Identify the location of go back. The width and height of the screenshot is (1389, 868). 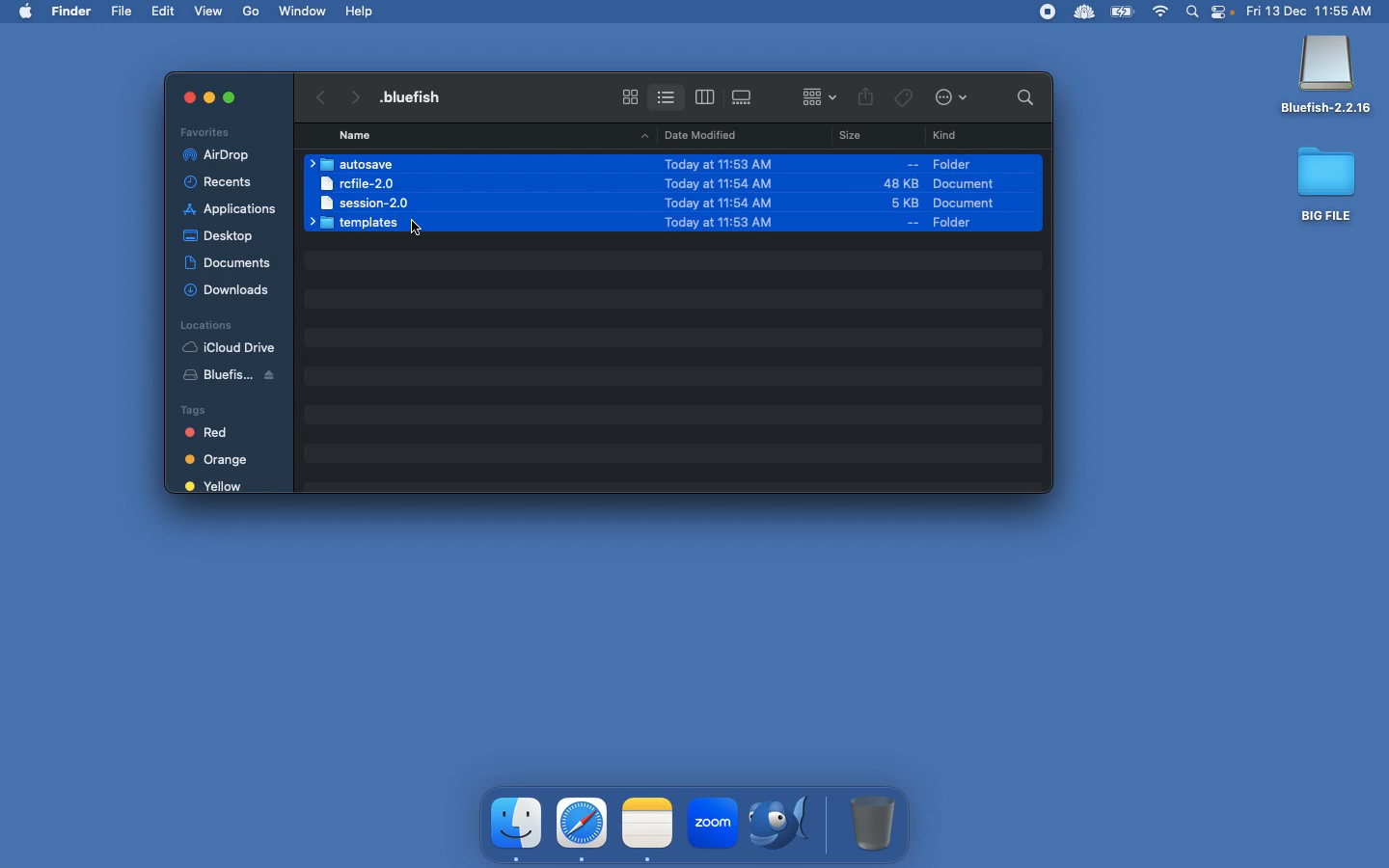
(317, 95).